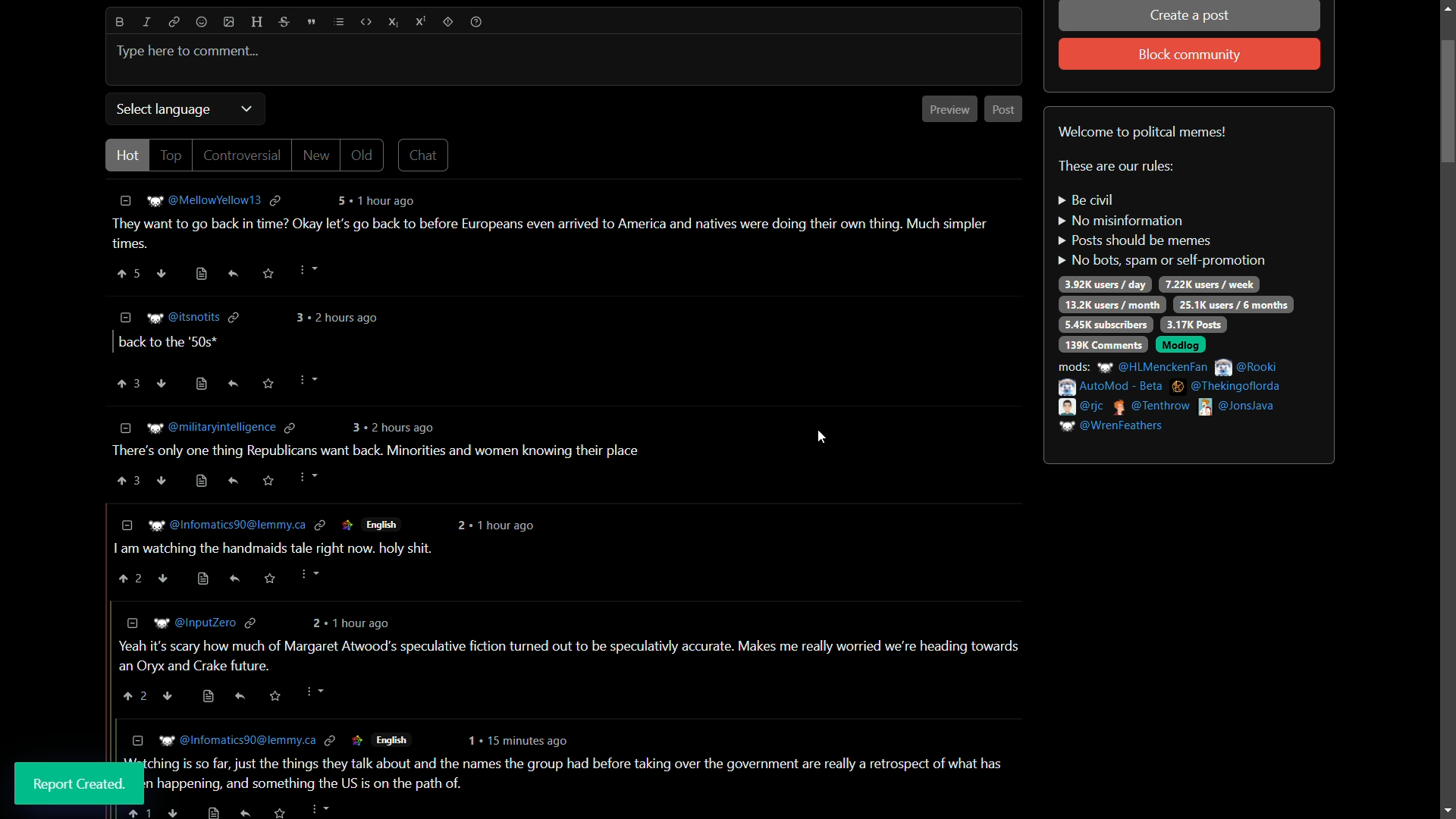  Describe the element at coordinates (128, 155) in the screenshot. I see `hot` at that location.